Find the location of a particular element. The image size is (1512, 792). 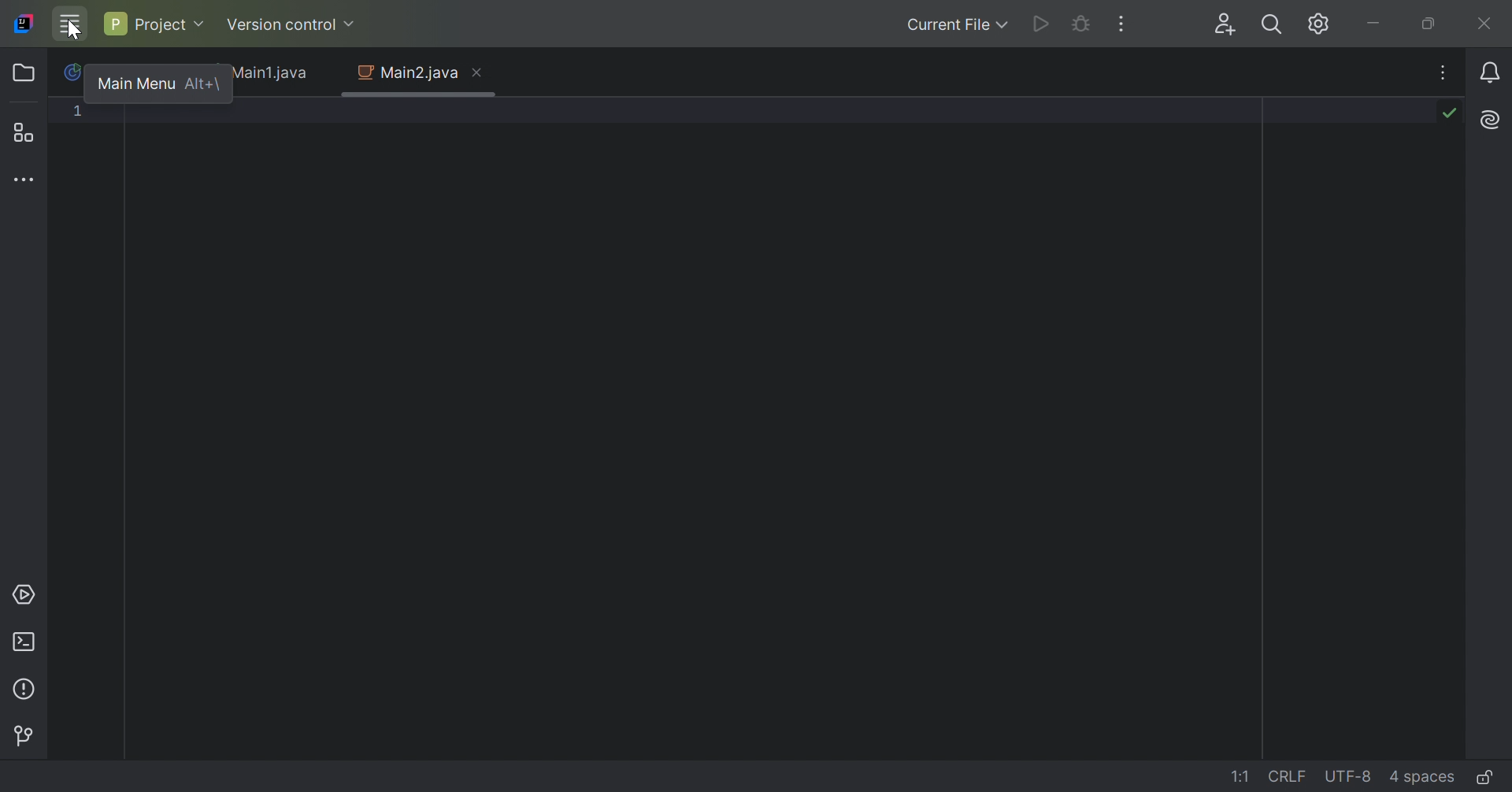

Current File is located at coordinates (954, 25).